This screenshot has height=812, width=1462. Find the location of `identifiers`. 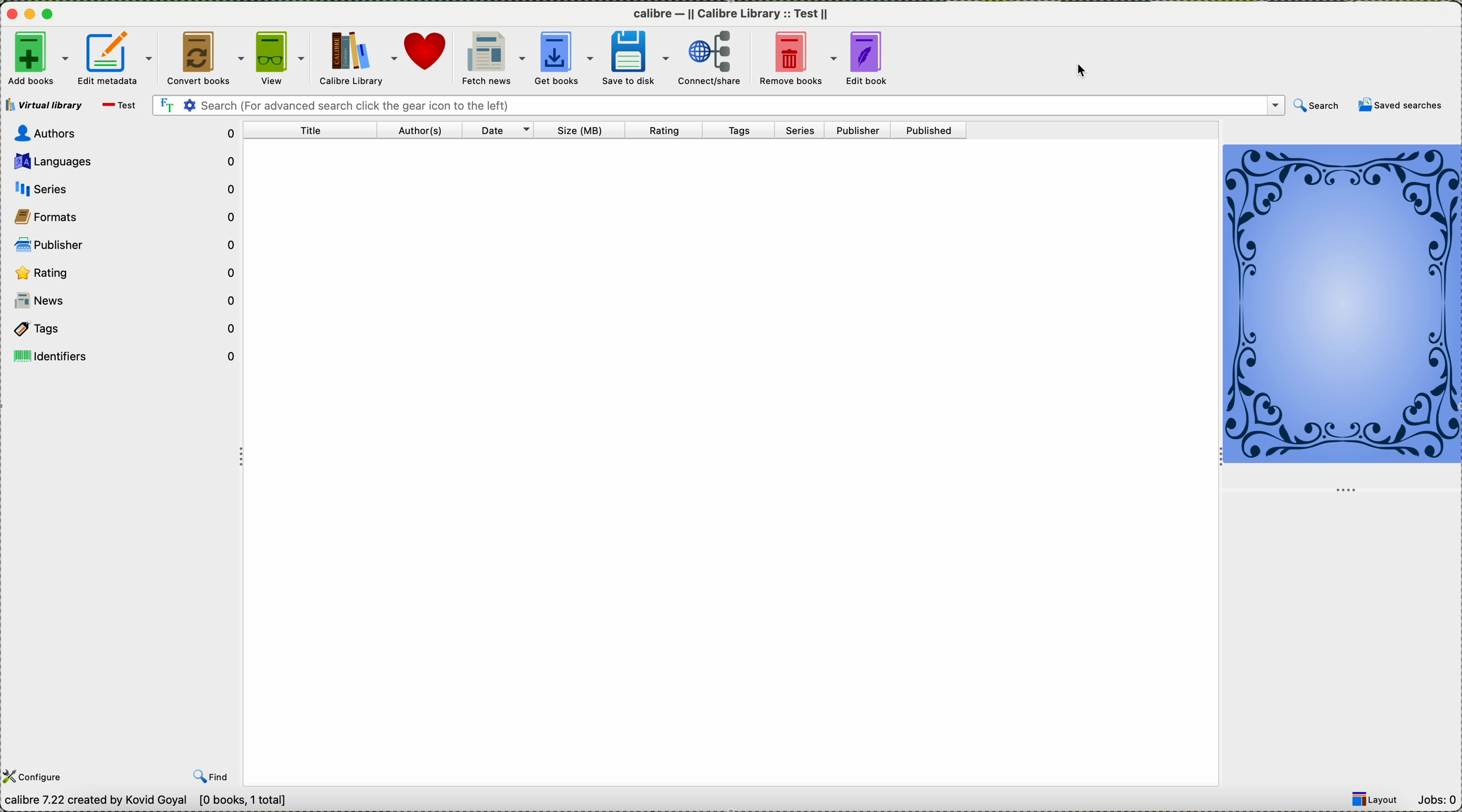

identifiers is located at coordinates (126, 355).